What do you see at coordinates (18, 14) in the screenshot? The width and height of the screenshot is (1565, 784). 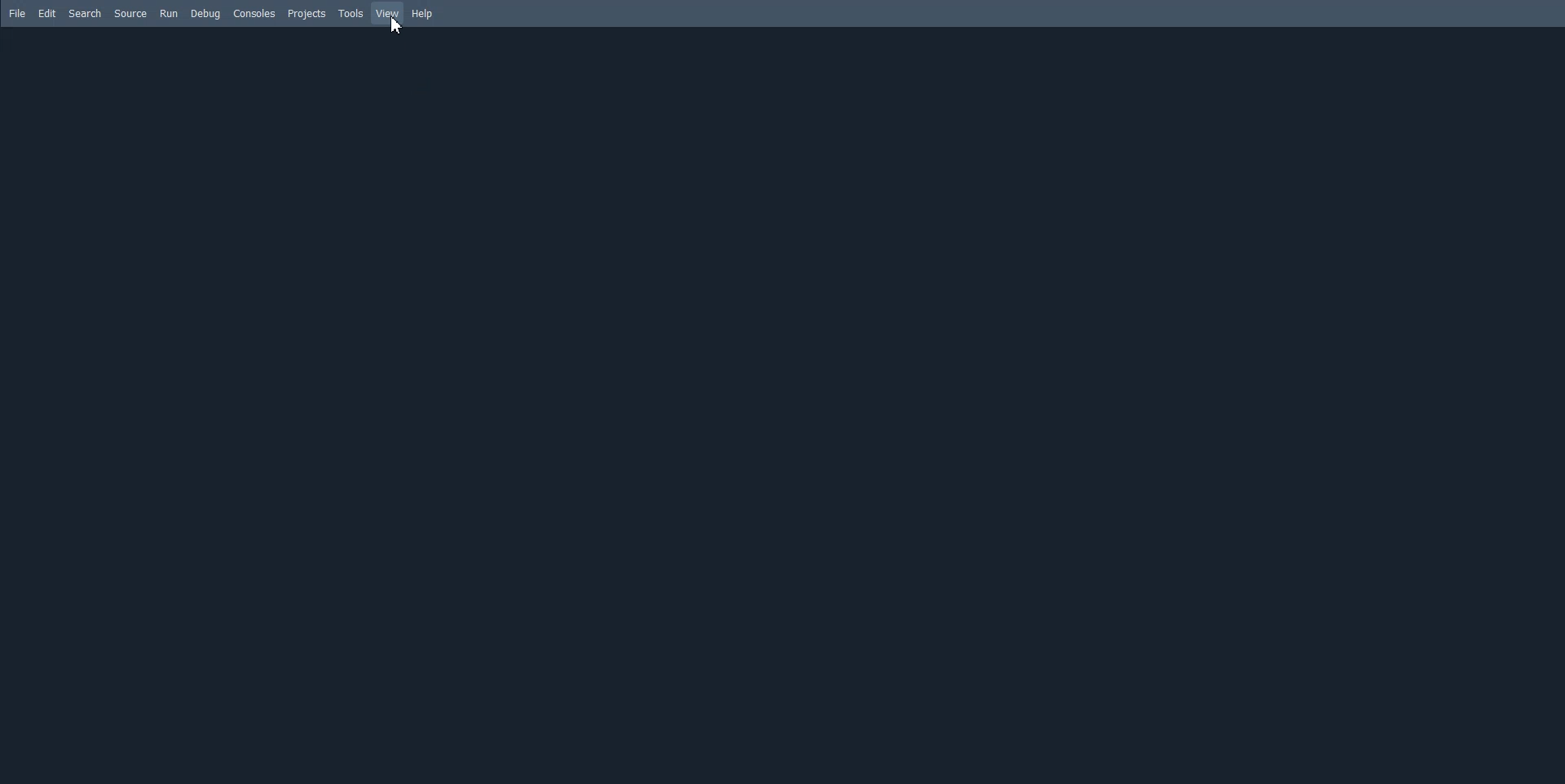 I see `File` at bounding box center [18, 14].